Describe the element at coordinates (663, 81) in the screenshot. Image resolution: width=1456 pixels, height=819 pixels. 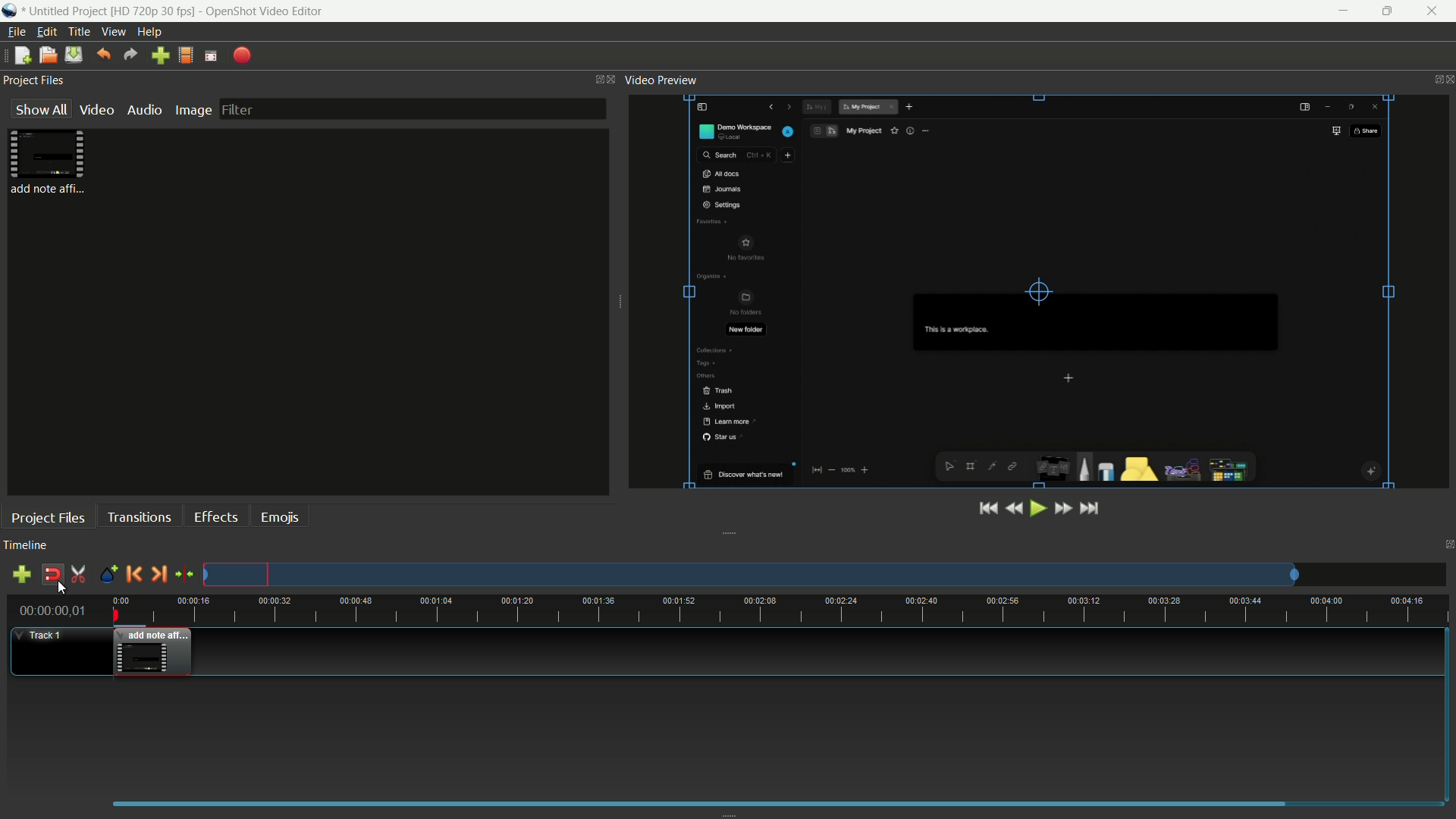
I see `video preview` at that location.